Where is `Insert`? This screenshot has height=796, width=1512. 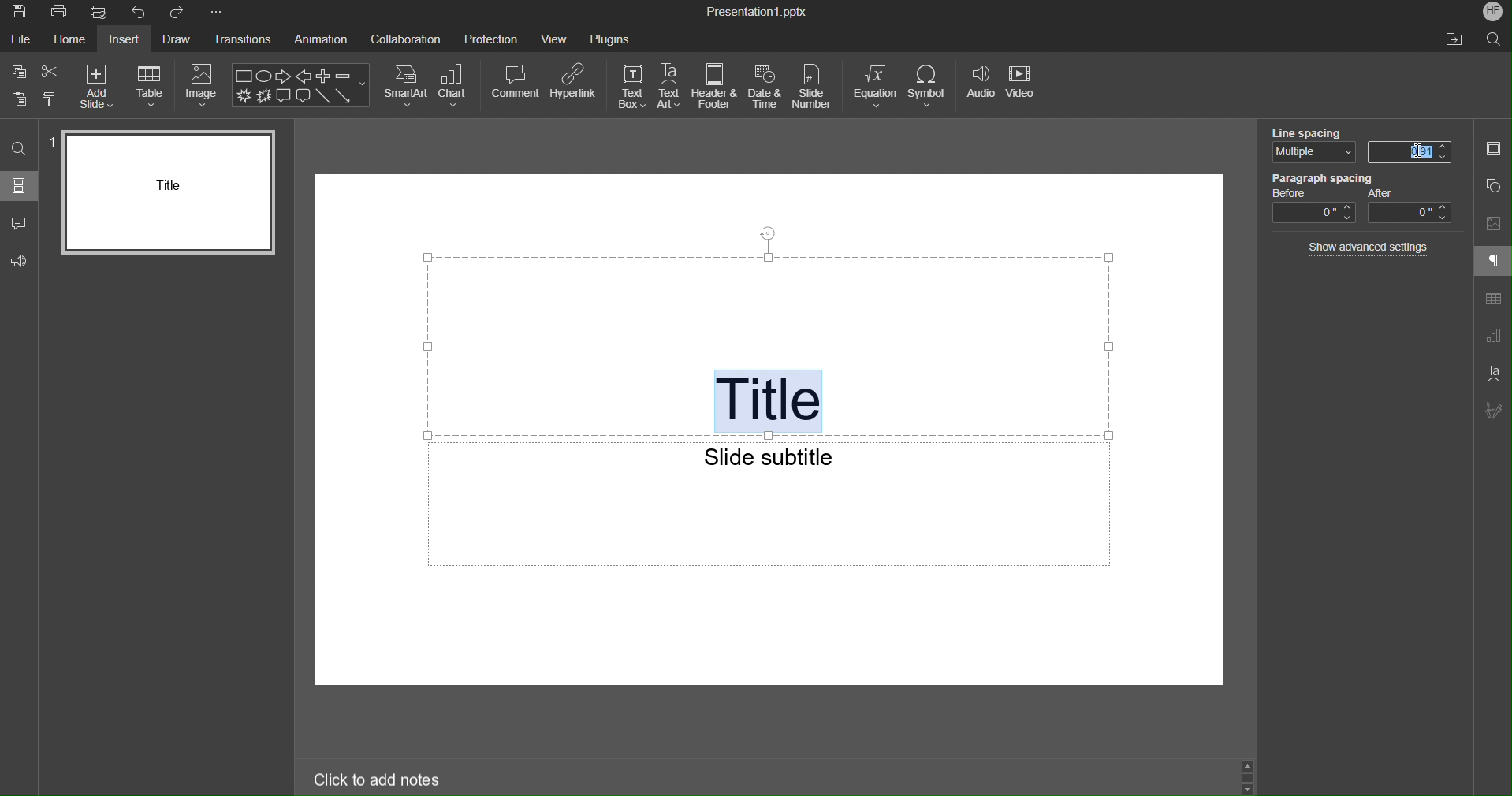
Insert is located at coordinates (122, 40).